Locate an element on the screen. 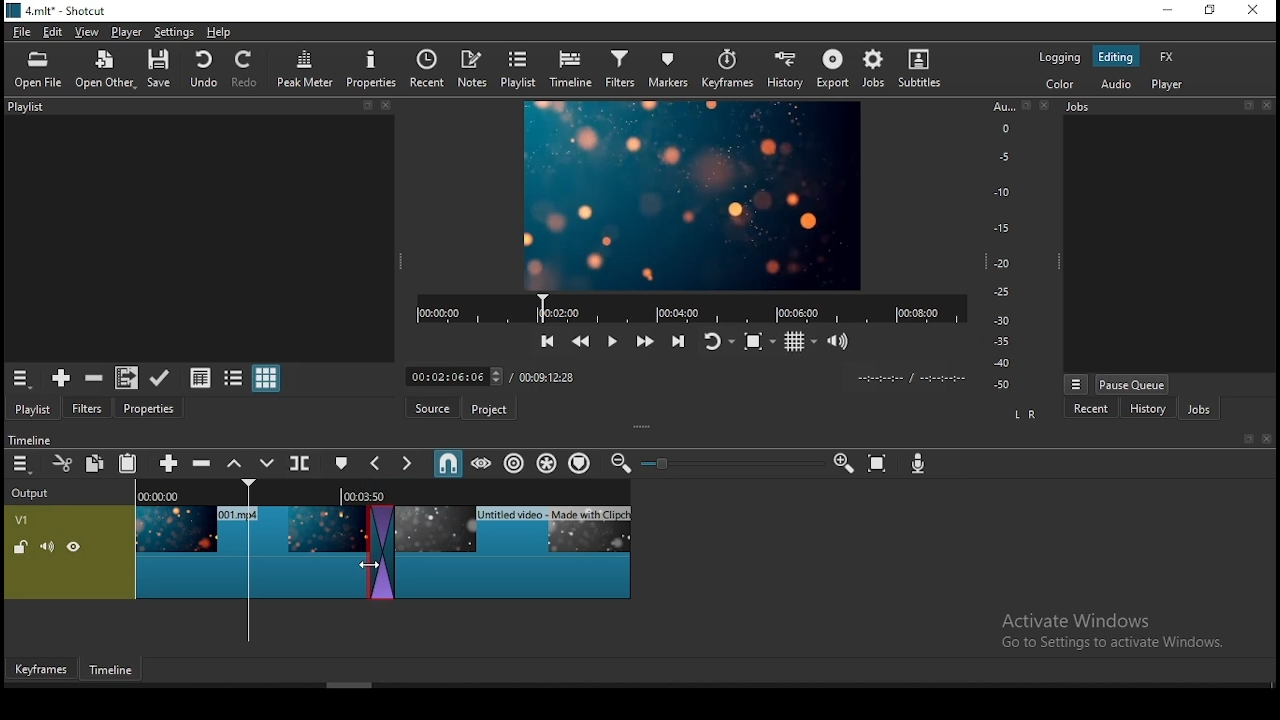 The height and width of the screenshot is (720, 1280). video player progress bar is located at coordinates (690, 307).